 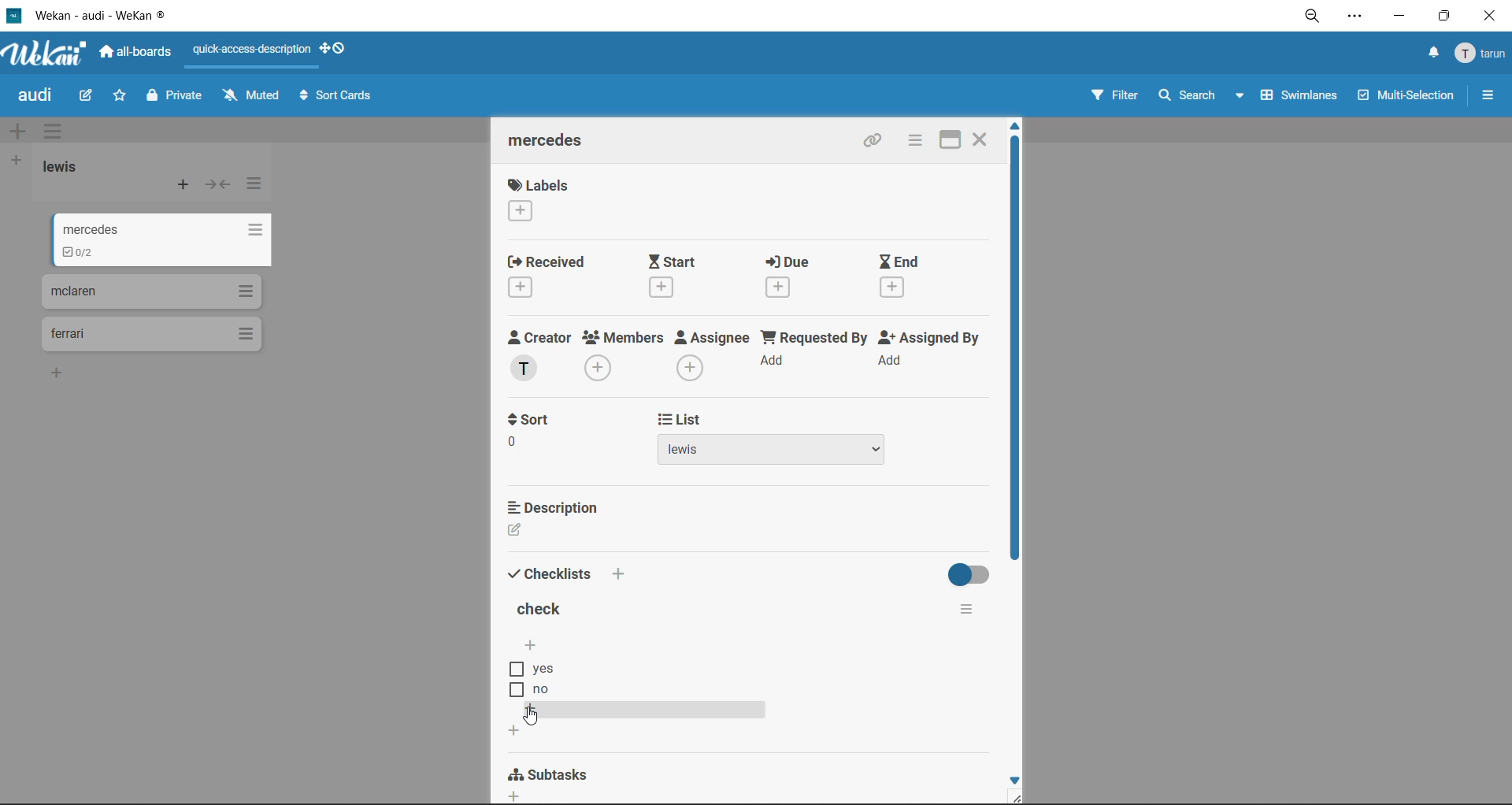 I want to click on muted, so click(x=250, y=95).